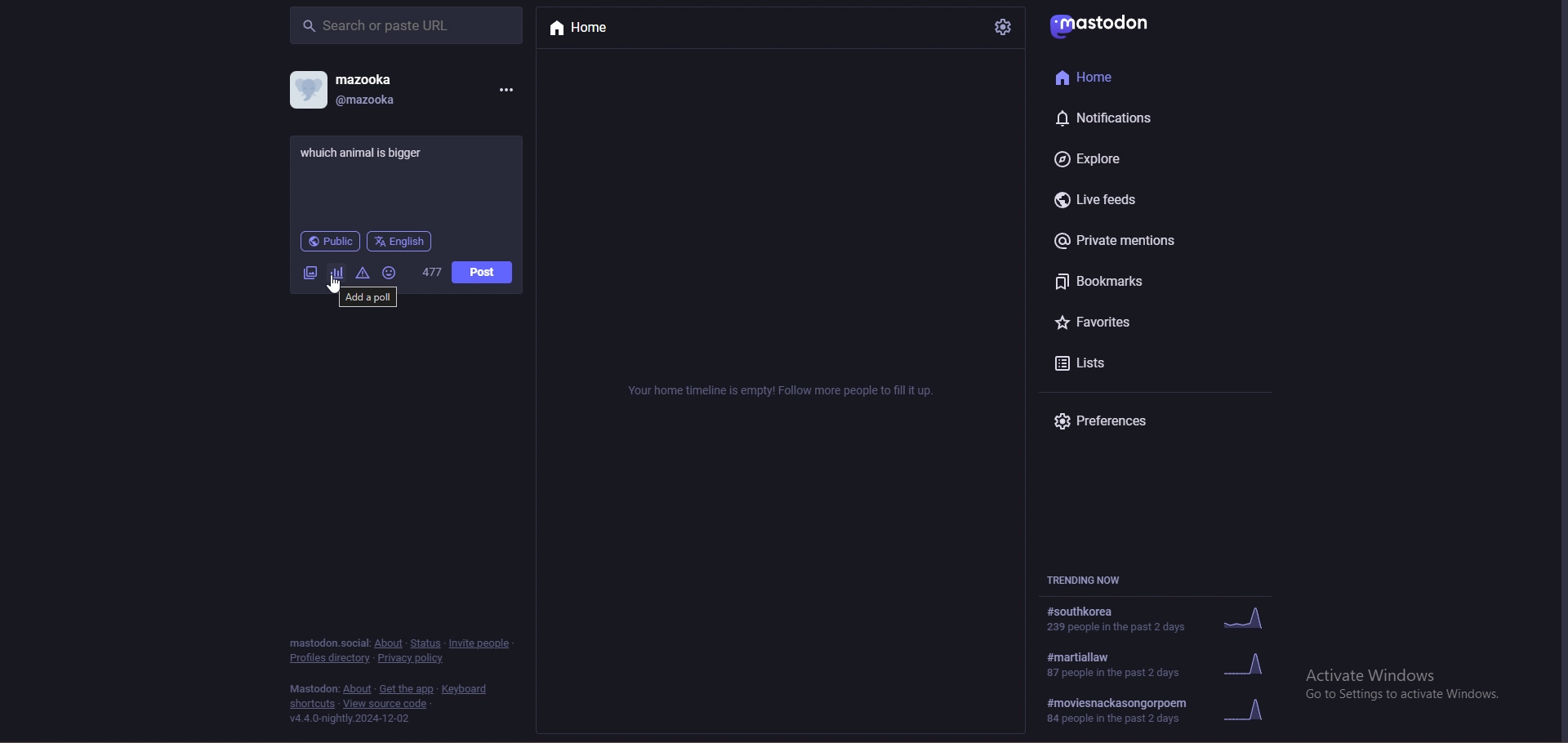 This screenshot has width=1568, height=743. Describe the element at coordinates (481, 643) in the screenshot. I see `invite people` at that location.